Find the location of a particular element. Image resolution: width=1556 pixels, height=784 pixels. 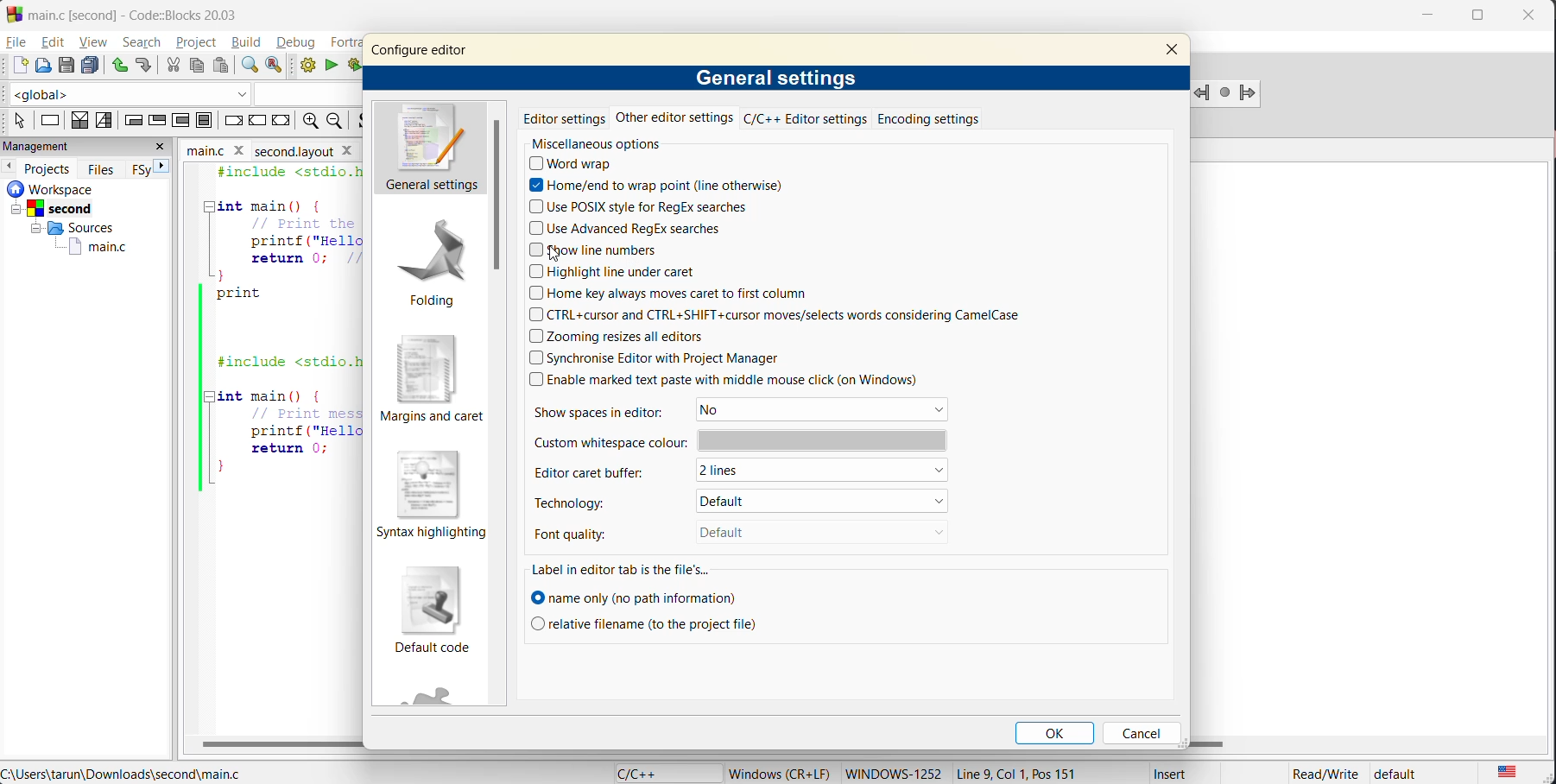

vertical scroll bar is located at coordinates (499, 194).